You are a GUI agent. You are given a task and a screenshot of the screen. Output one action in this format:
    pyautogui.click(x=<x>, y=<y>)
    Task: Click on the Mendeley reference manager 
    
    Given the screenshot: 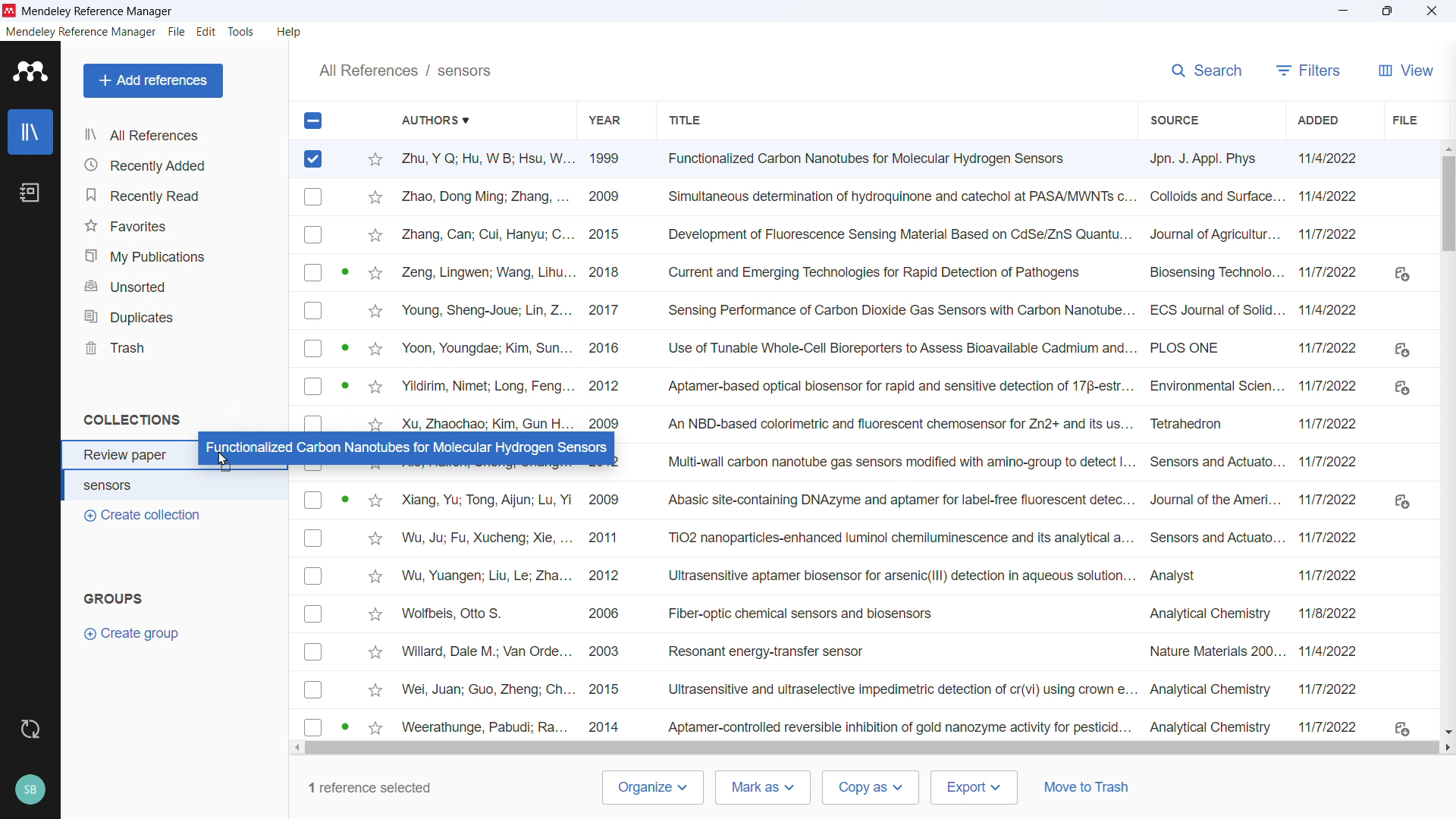 What is the action you would take?
    pyautogui.click(x=81, y=32)
    